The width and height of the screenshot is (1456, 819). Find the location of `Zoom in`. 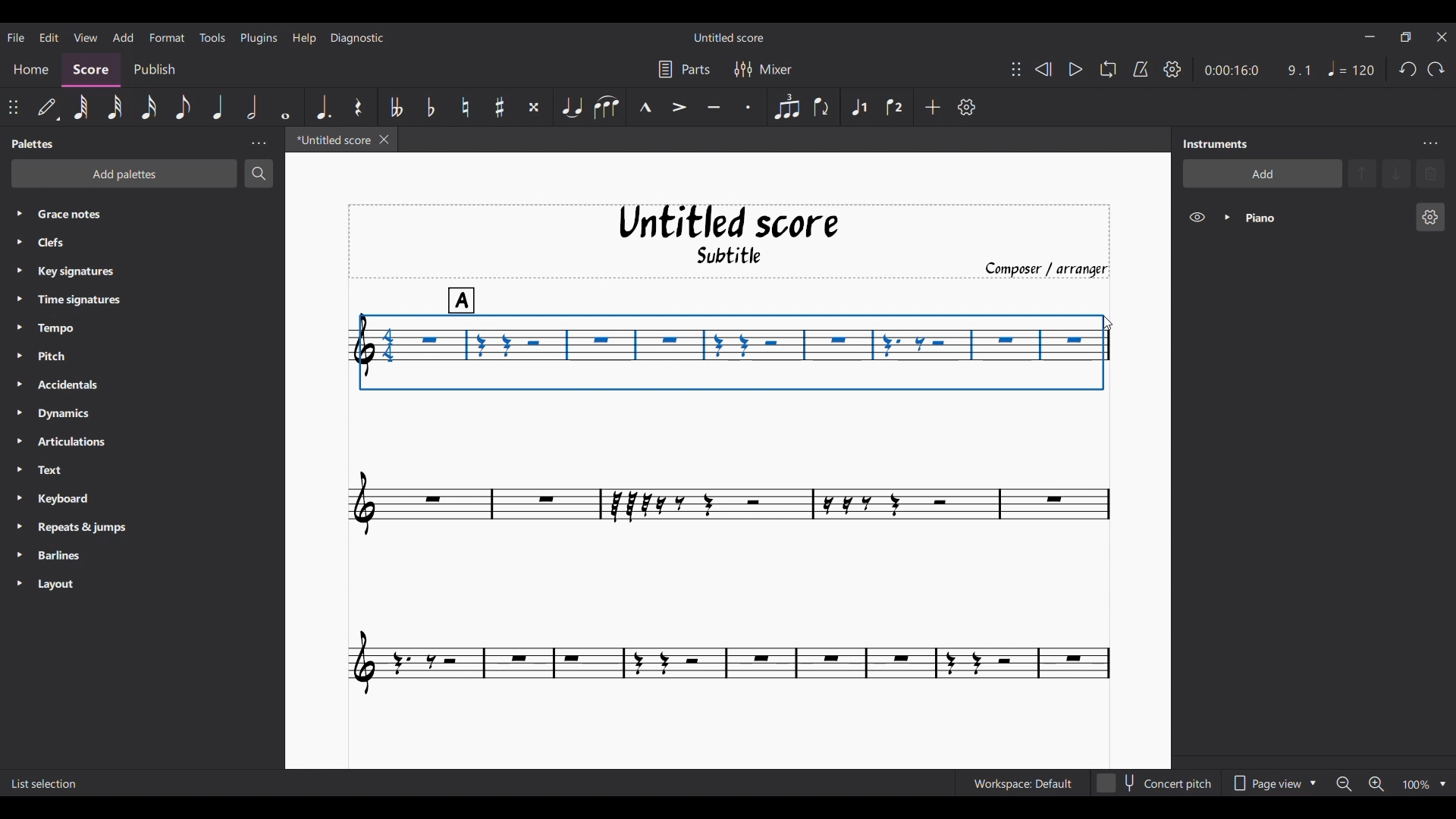

Zoom in is located at coordinates (1376, 784).